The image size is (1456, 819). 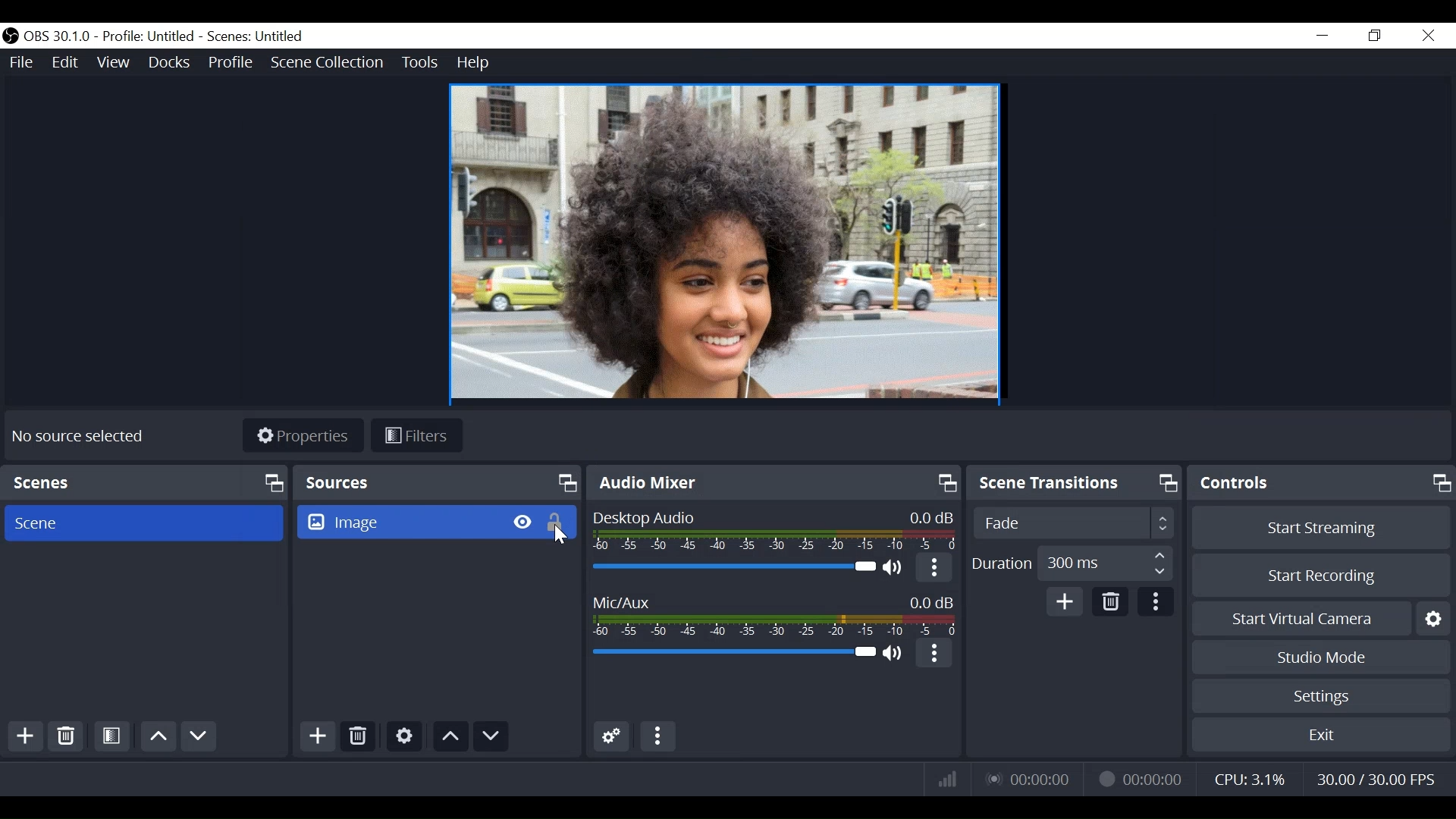 I want to click on View, so click(x=116, y=61).